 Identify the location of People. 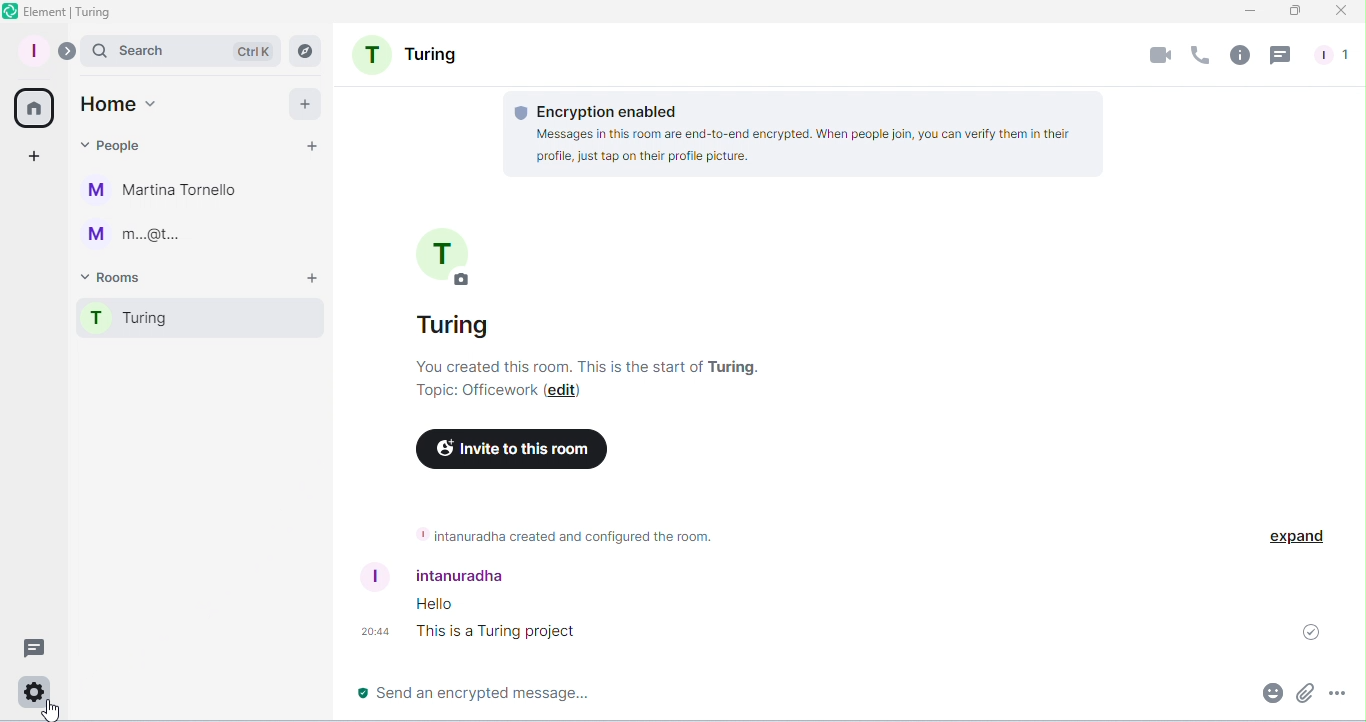
(115, 149).